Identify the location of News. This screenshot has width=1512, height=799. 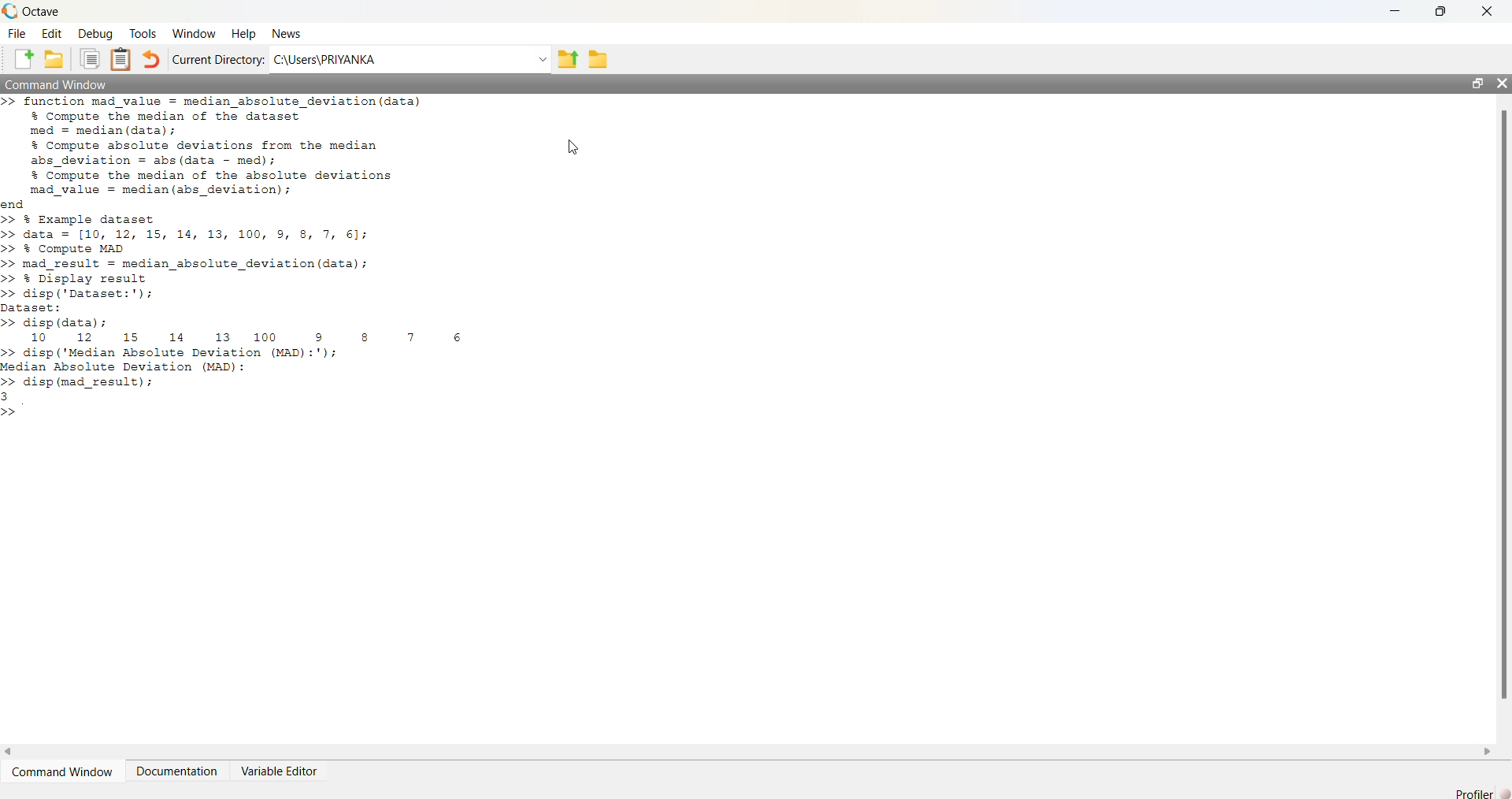
(286, 33).